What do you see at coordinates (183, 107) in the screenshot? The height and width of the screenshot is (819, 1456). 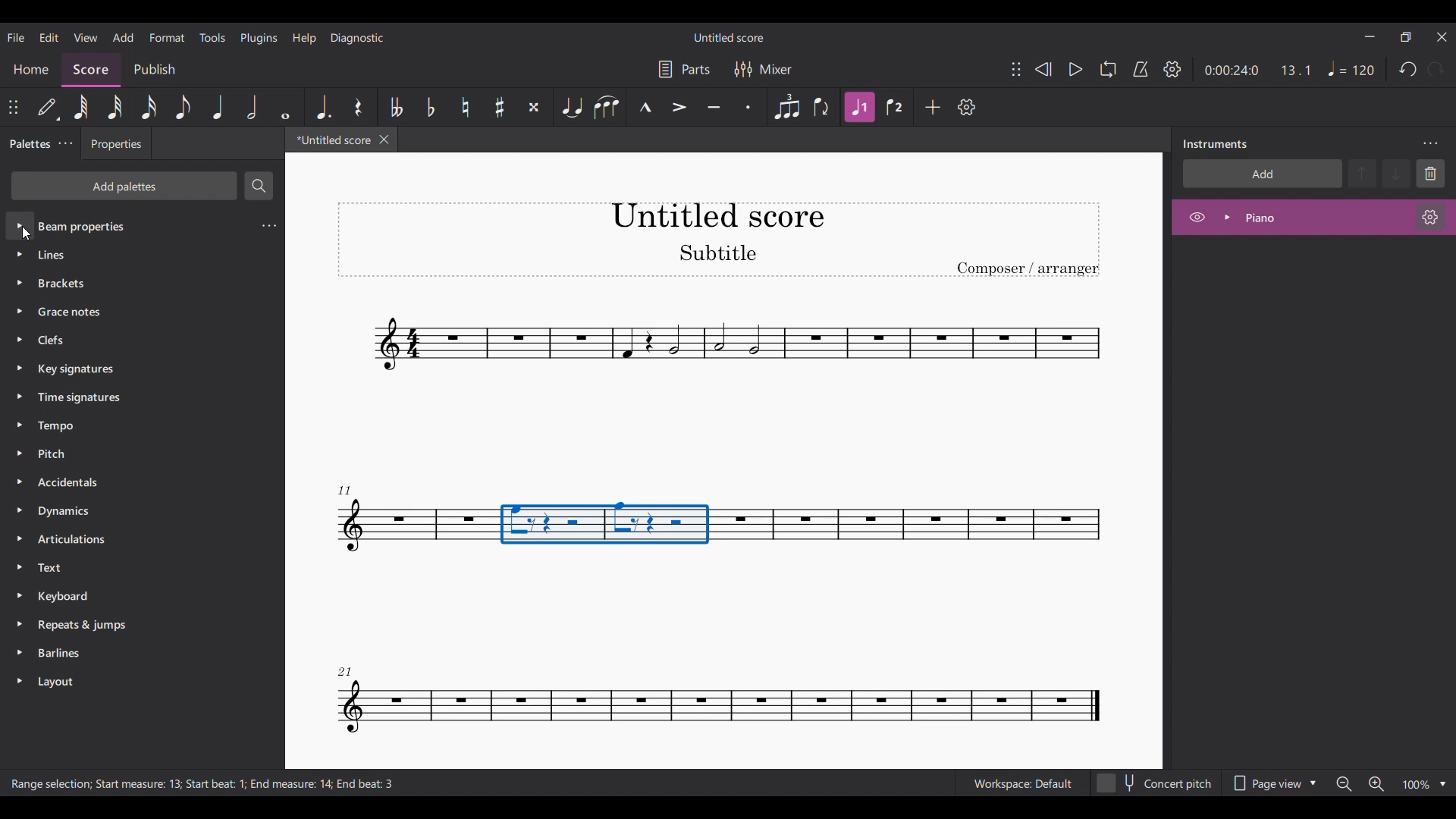 I see `8th note` at bounding box center [183, 107].